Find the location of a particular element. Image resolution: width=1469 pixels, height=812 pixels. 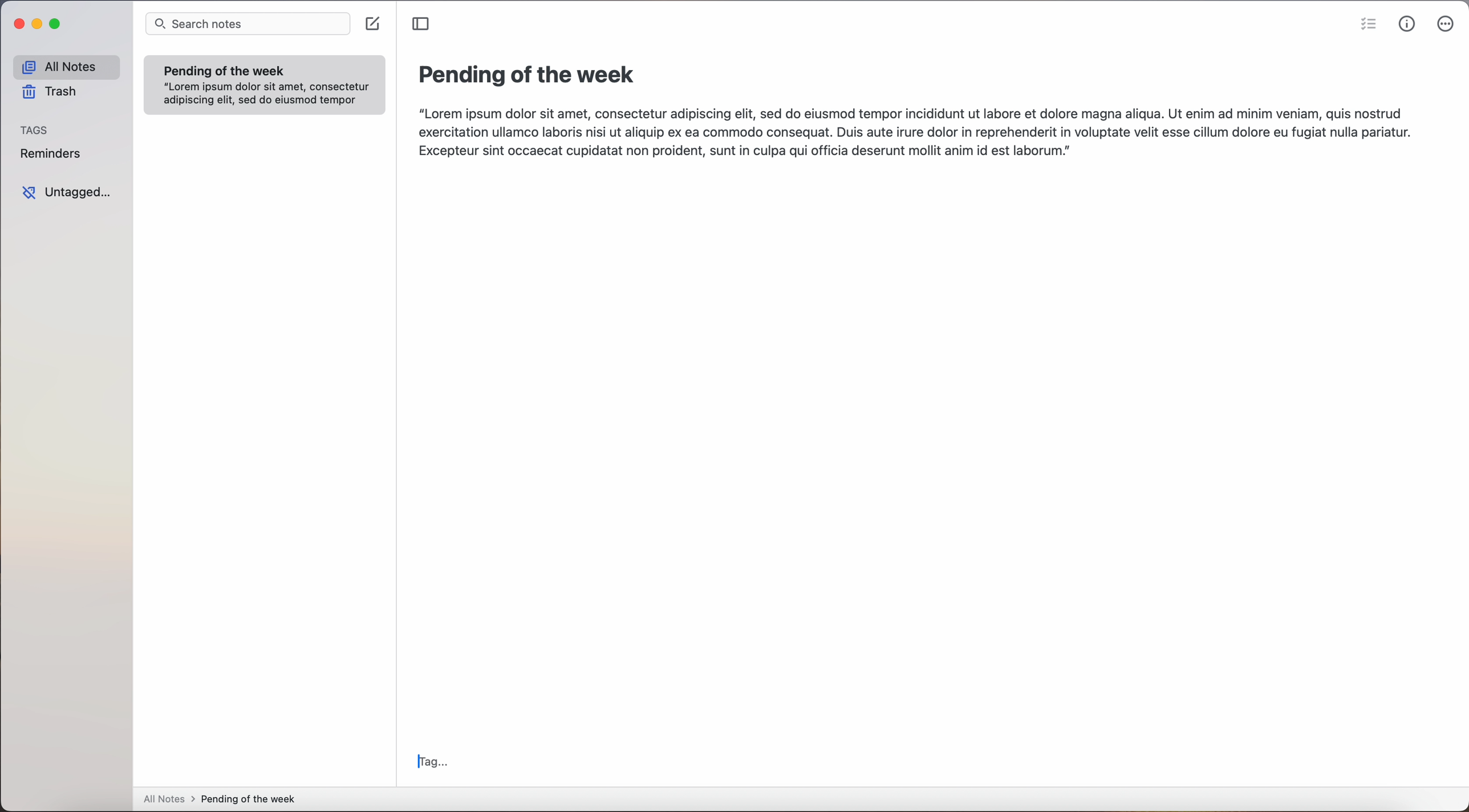

all notes is located at coordinates (63, 67).